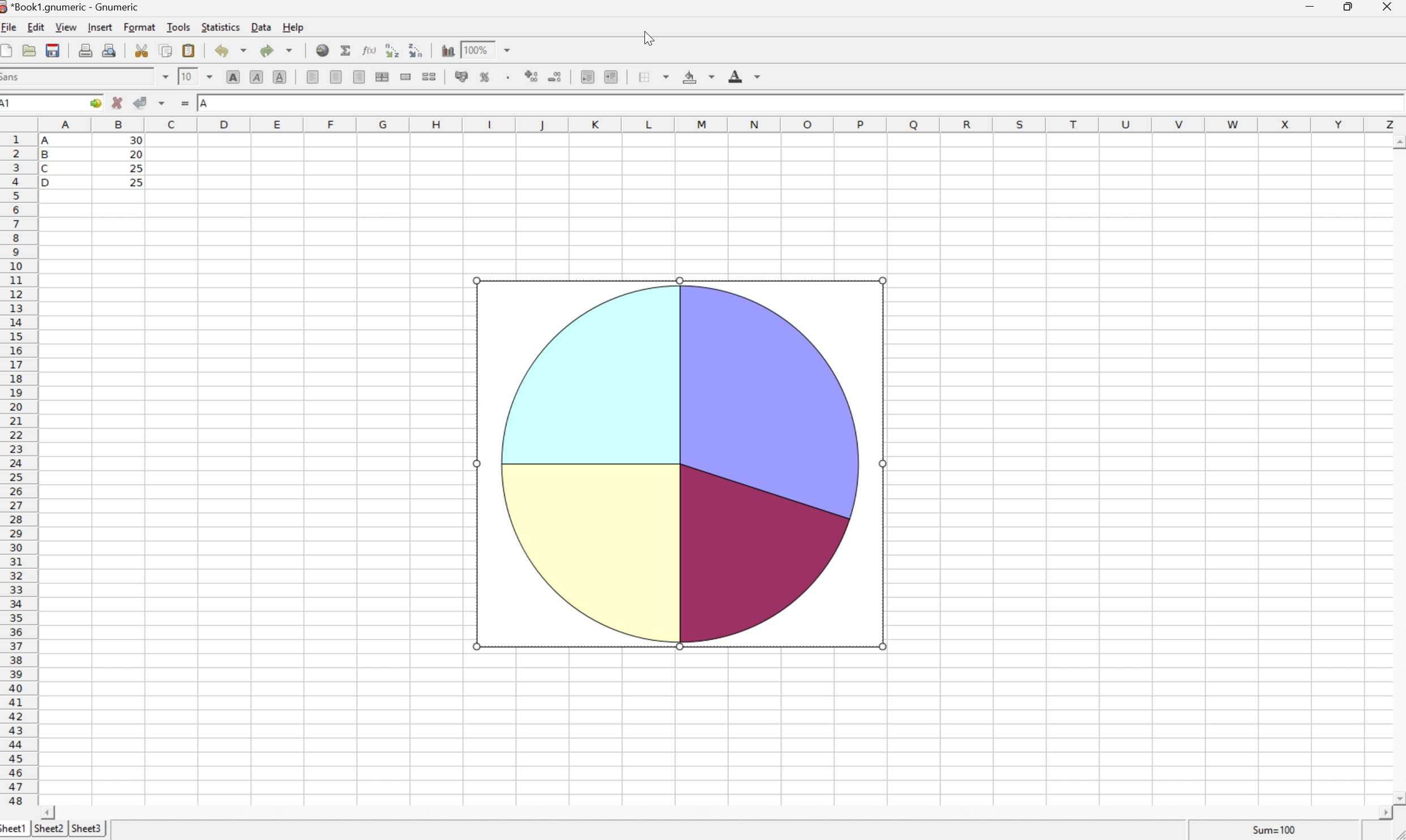  What do you see at coordinates (406, 78) in the screenshot?
I see `Merge a range of cells` at bounding box center [406, 78].